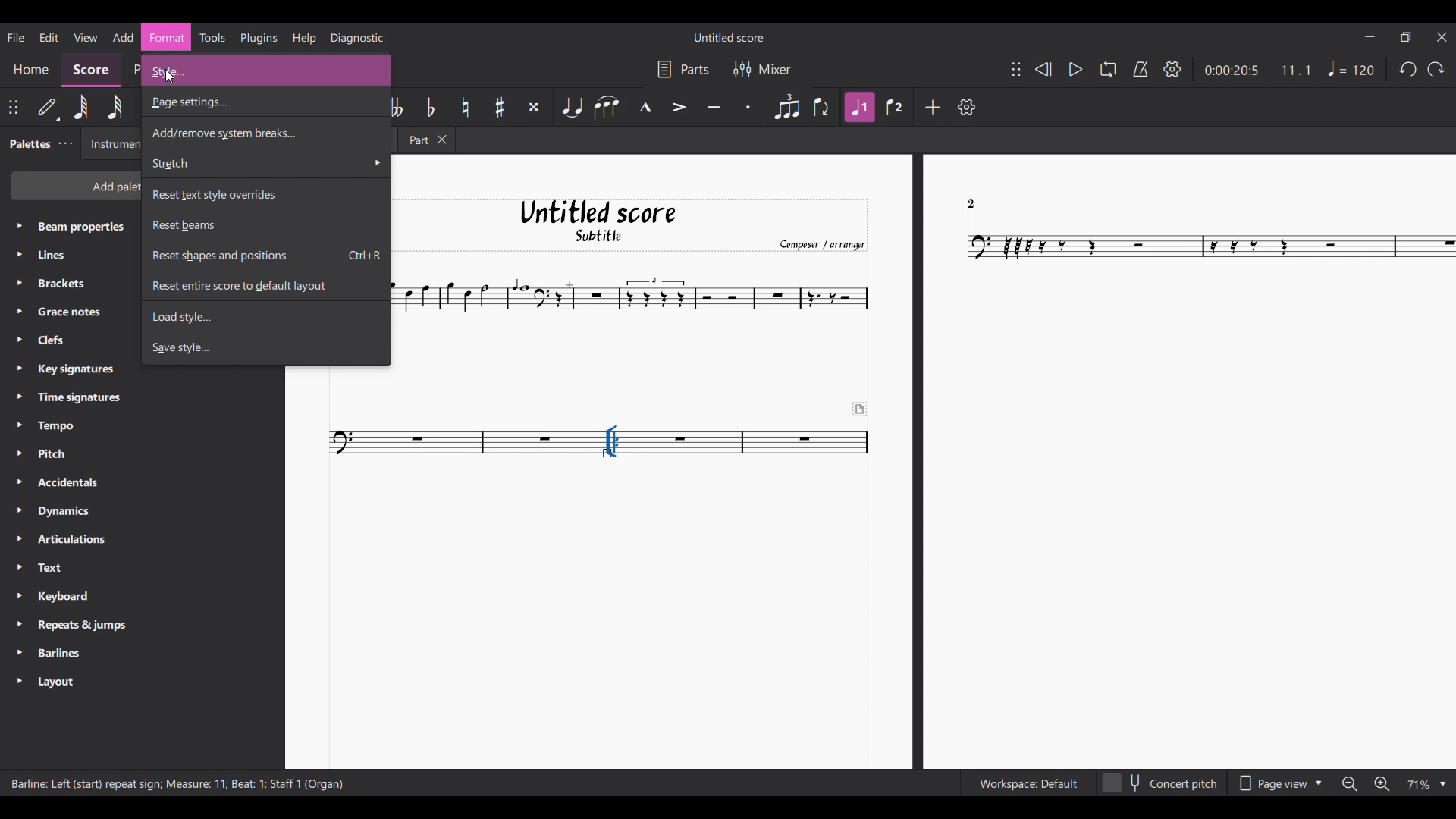 The image size is (1456, 819). What do you see at coordinates (265, 224) in the screenshot?
I see `Reset beams` at bounding box center [265, 224].